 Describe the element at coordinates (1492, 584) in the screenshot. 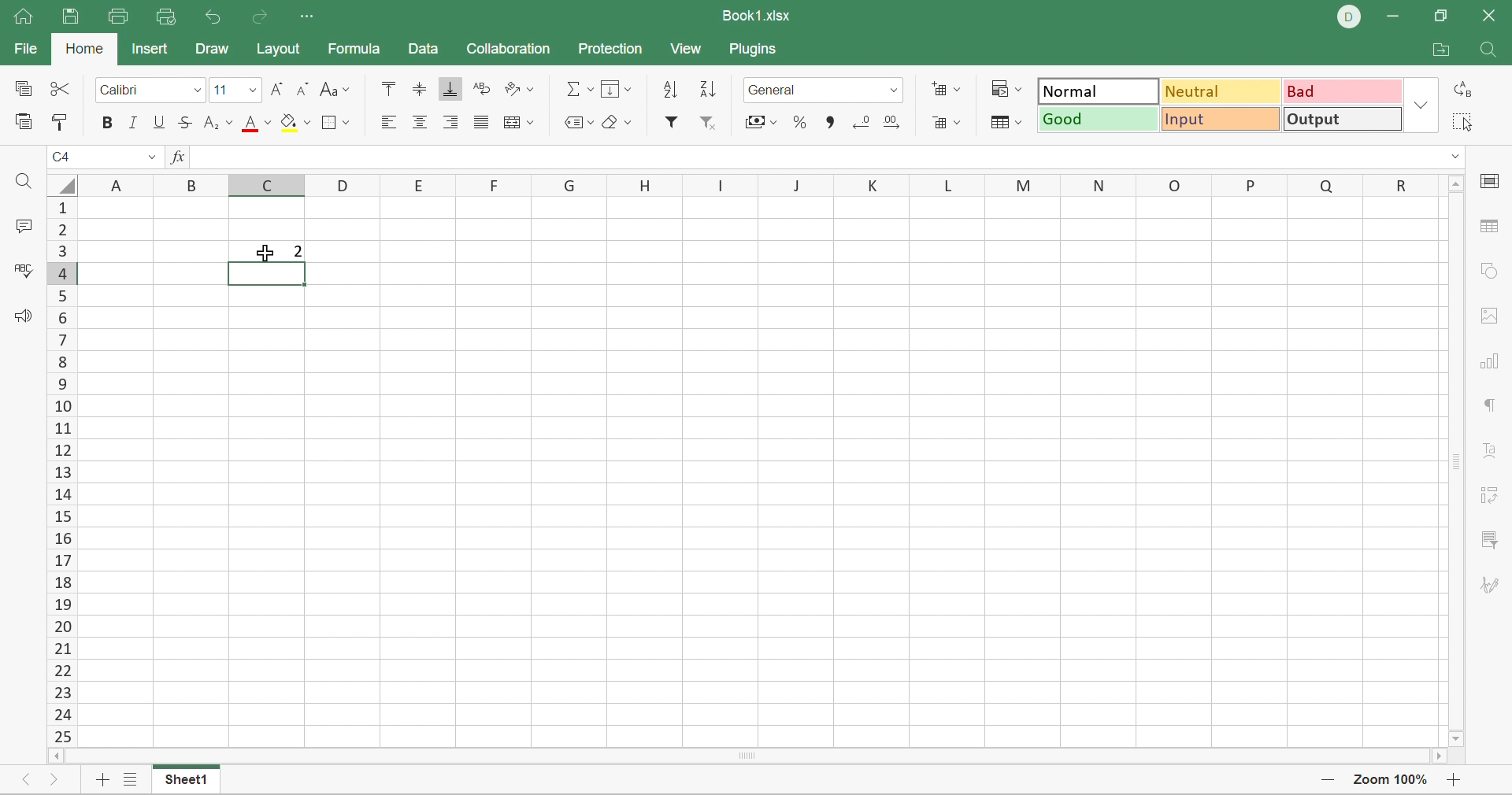

I see `signature settings` at that location.